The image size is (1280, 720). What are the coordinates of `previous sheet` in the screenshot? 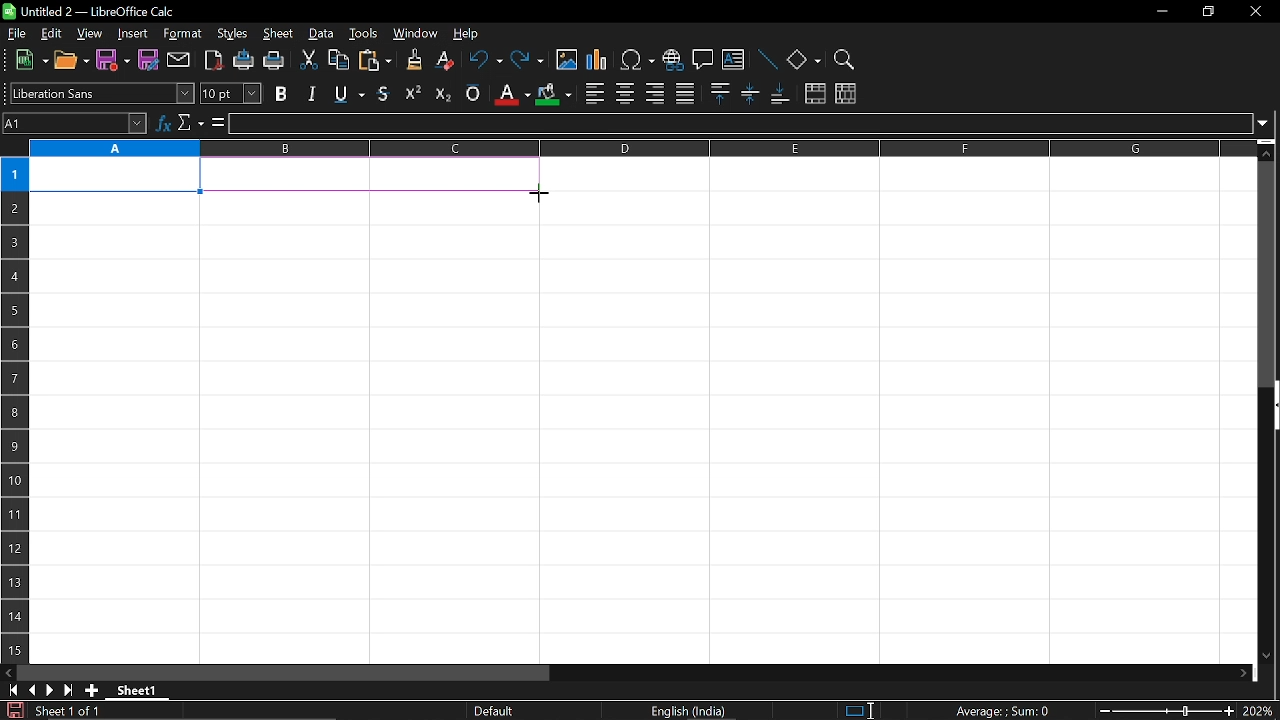 It's located at (30, 690).